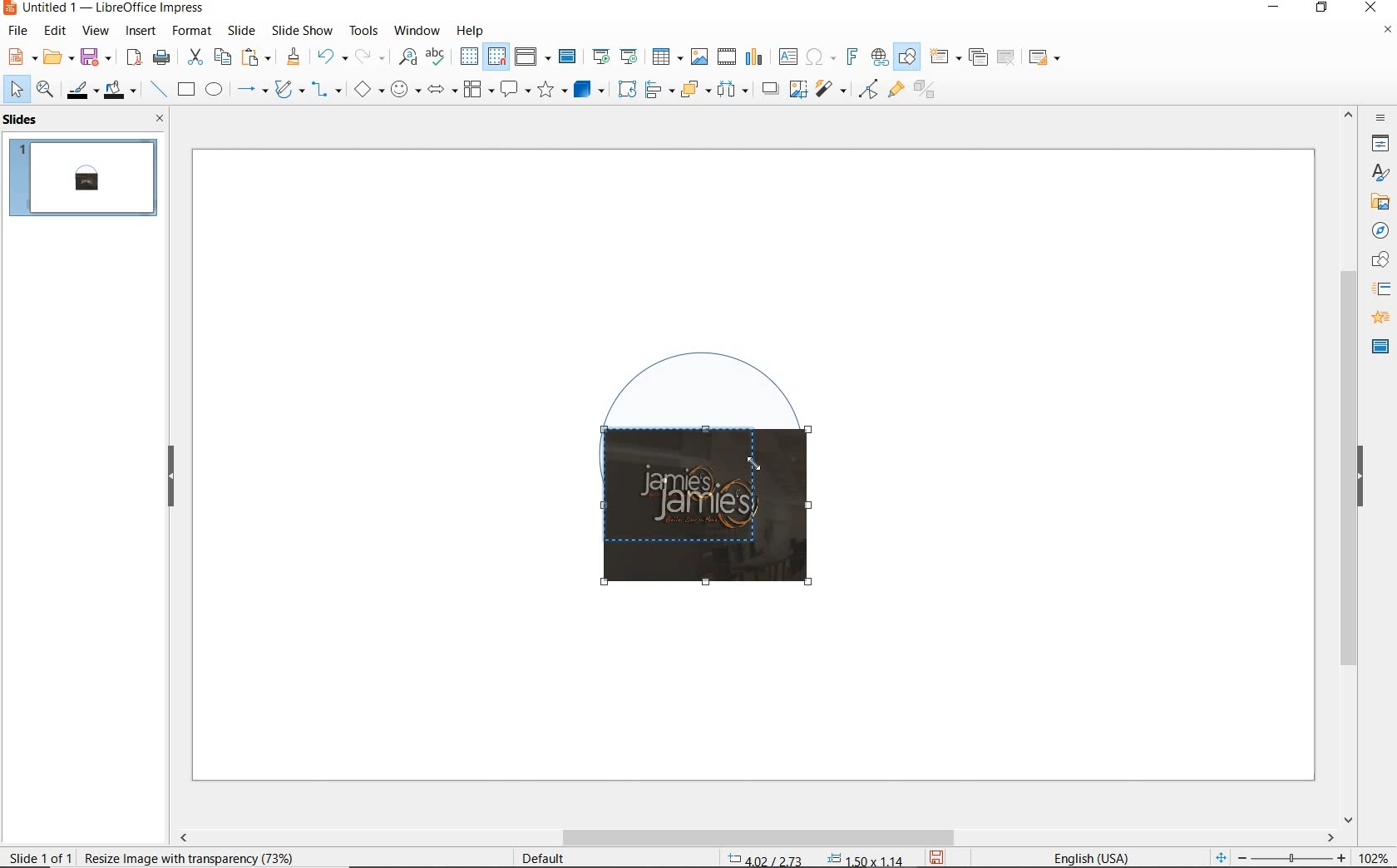  I want to click on slide transition, so click(1380, 289).